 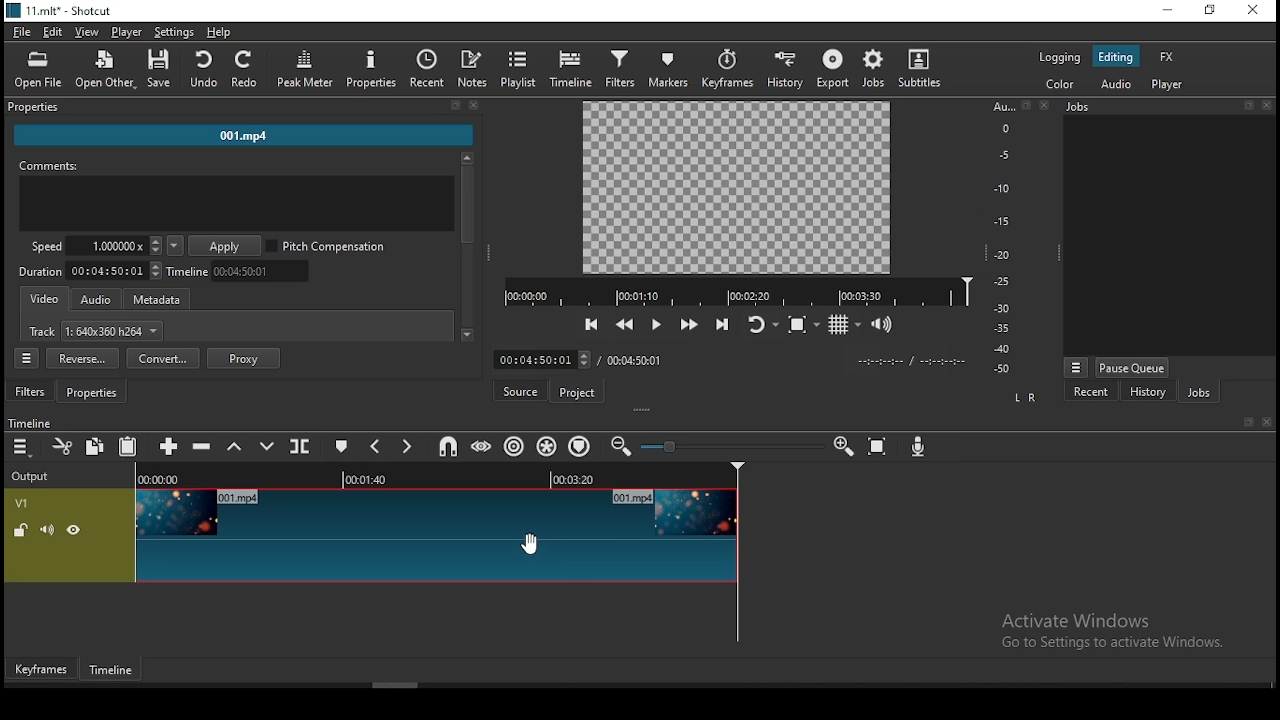 I want to click on time input, so click(x=541, y=358).